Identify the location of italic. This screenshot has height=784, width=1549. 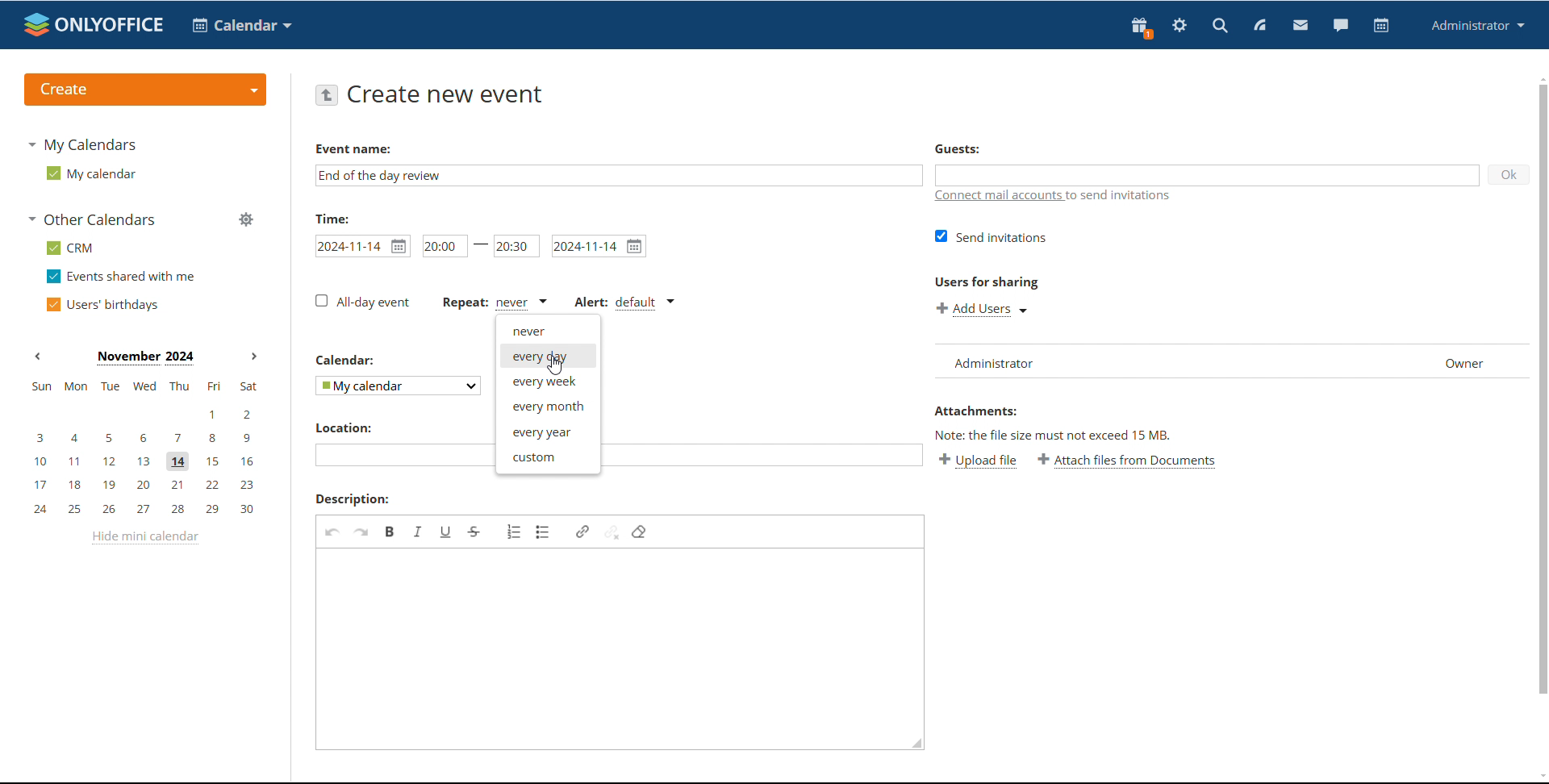
(418, 531).